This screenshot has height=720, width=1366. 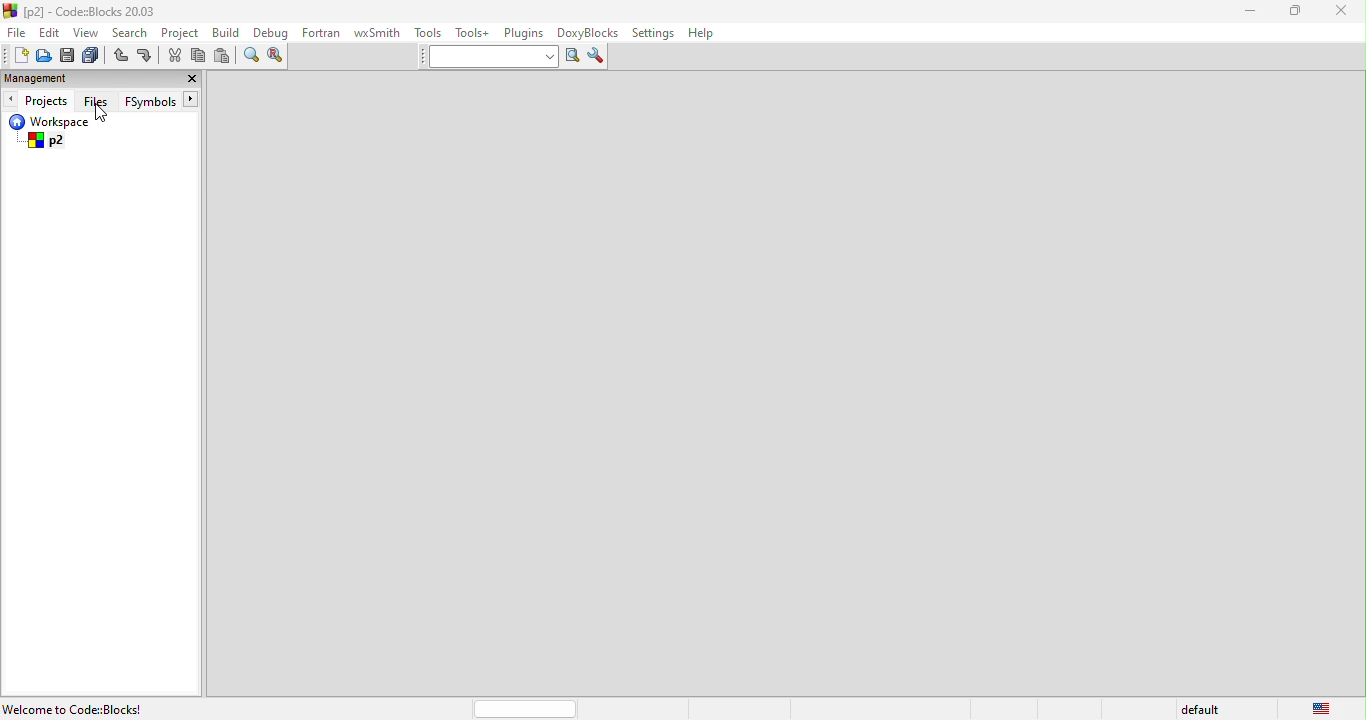 I want to click on plugins, so click(x=525, y=33).